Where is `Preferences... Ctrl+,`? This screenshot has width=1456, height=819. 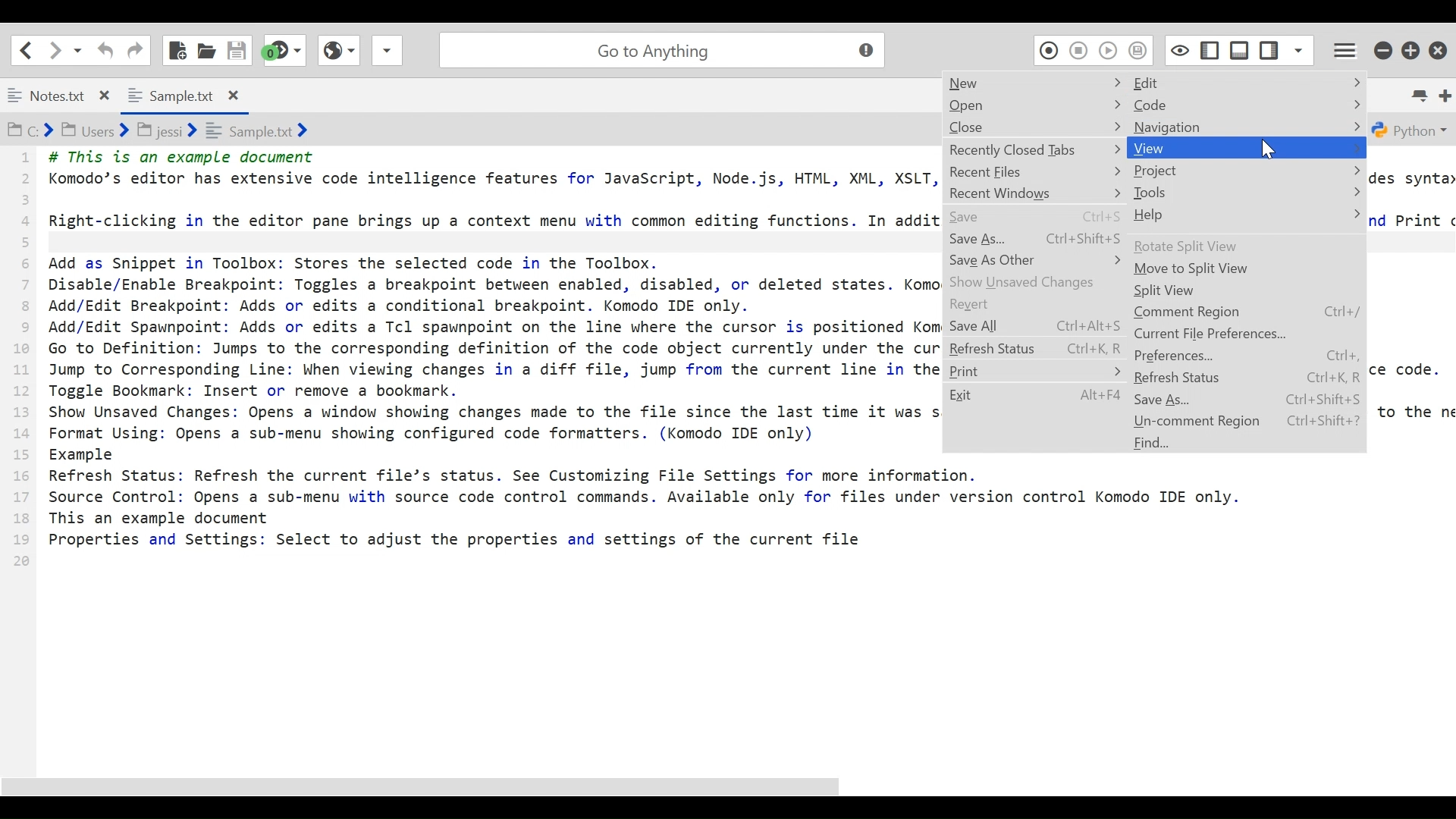 Preferences... Ctrl+, is located at coordinates (1247, 356).